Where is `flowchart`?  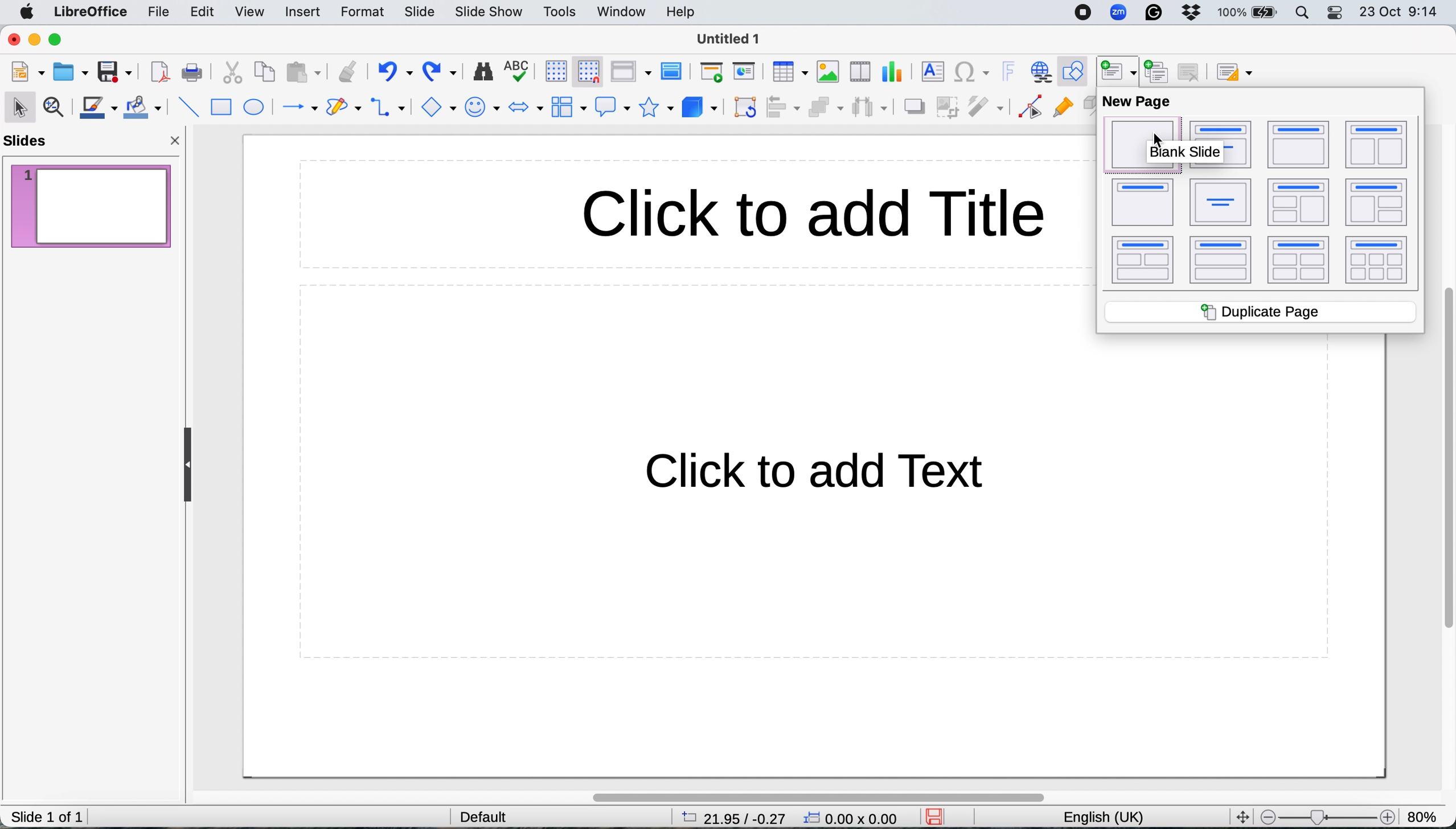
flowchart is located at coordinates (567, 108).